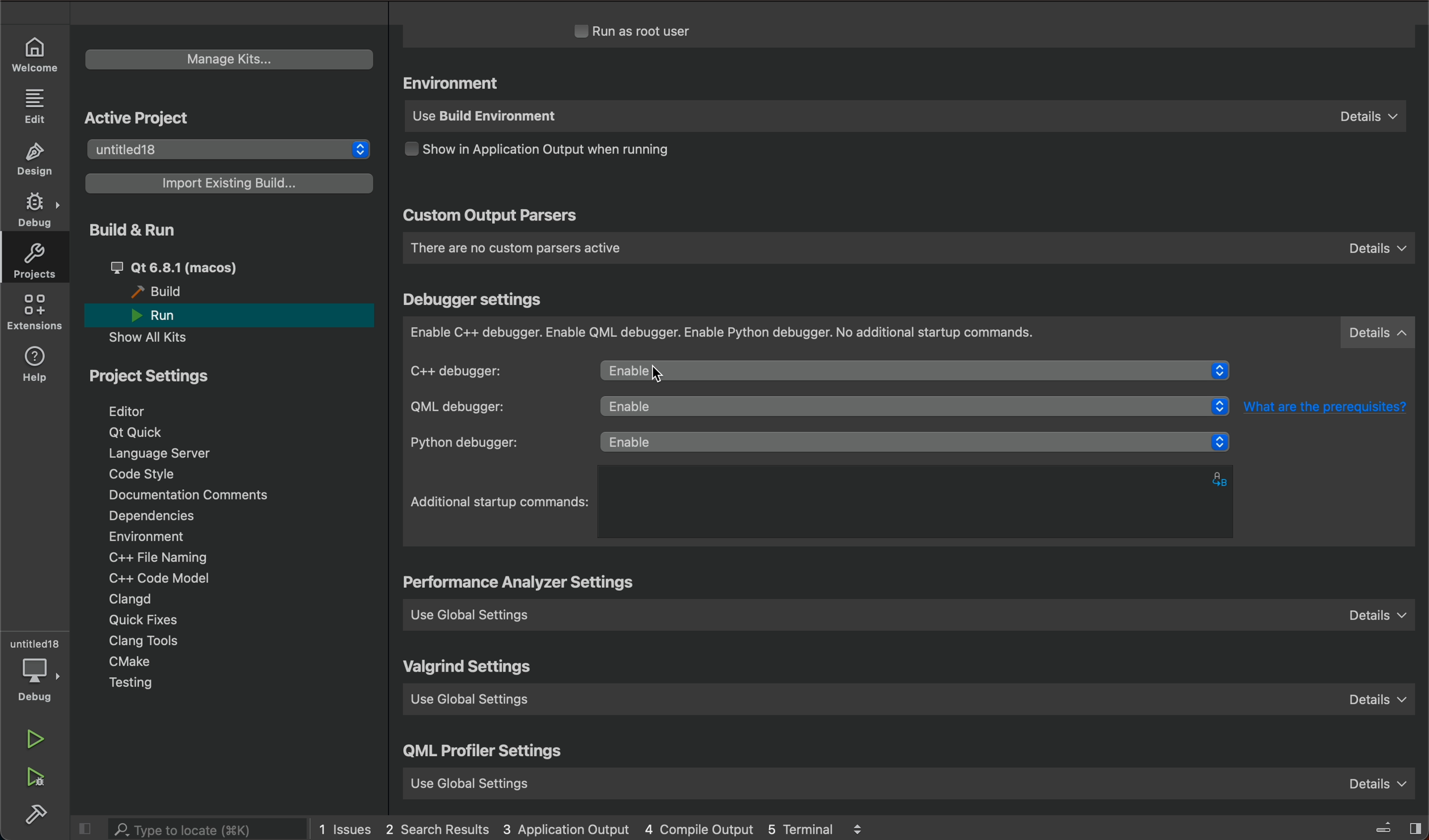  Describe the element at coordinates (610, 828) in the screenshot. I see `logs` at that location.